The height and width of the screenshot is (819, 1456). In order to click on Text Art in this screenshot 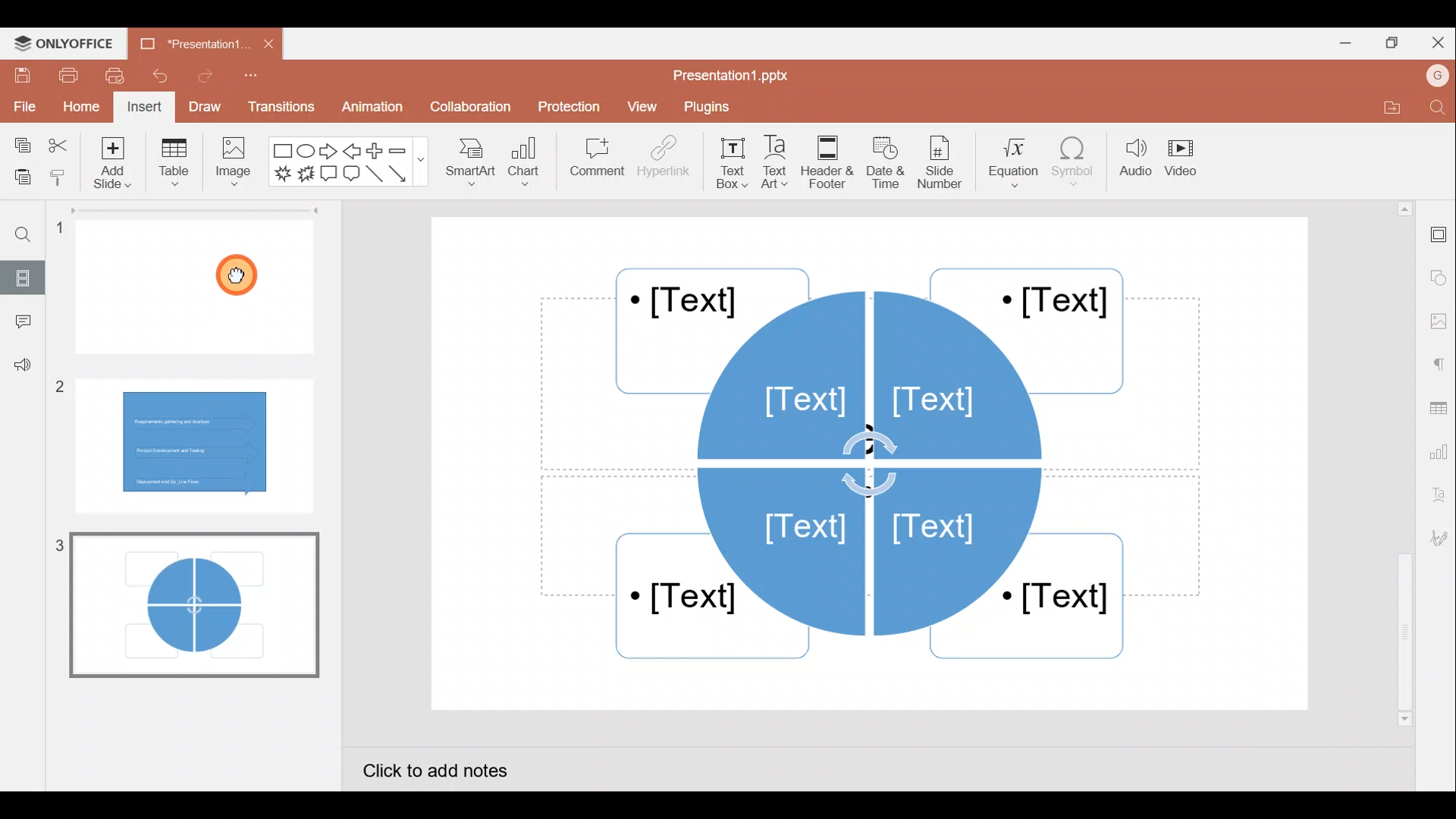, I will do `click(780, 163)`.